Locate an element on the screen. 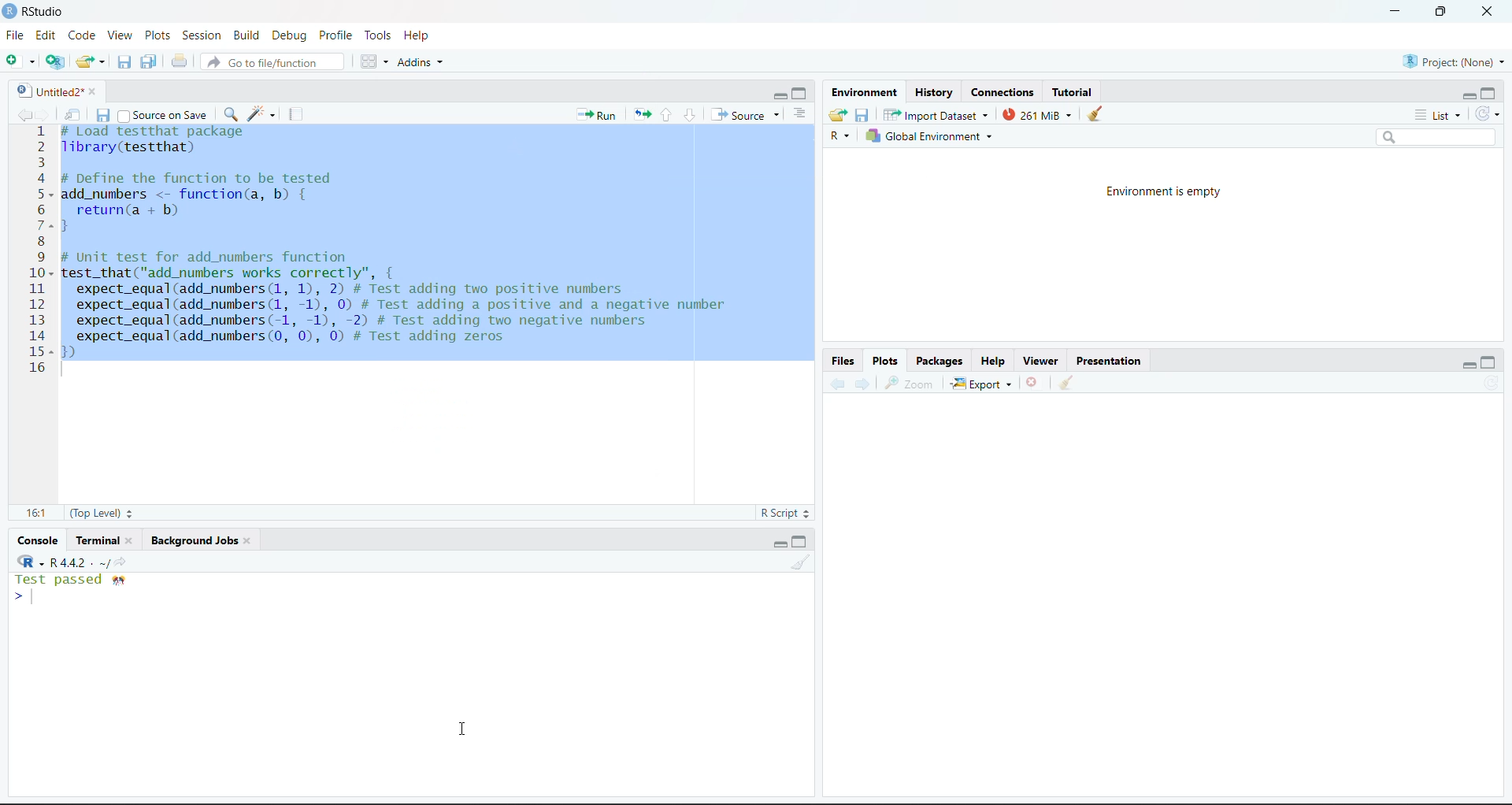  Backward is located at coordinates (836, 382).